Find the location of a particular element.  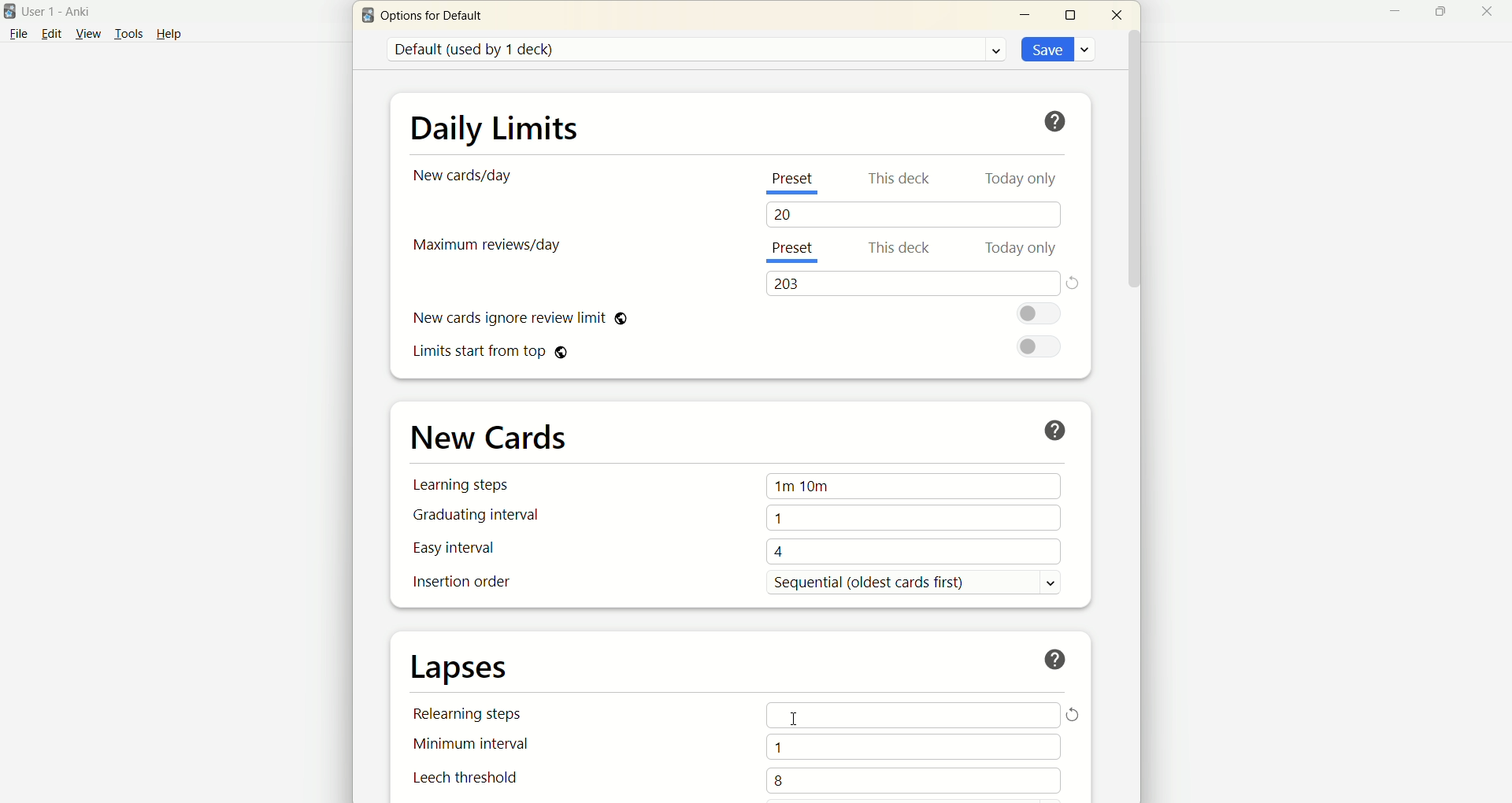

maximize is located at coordinates (1072, 14).